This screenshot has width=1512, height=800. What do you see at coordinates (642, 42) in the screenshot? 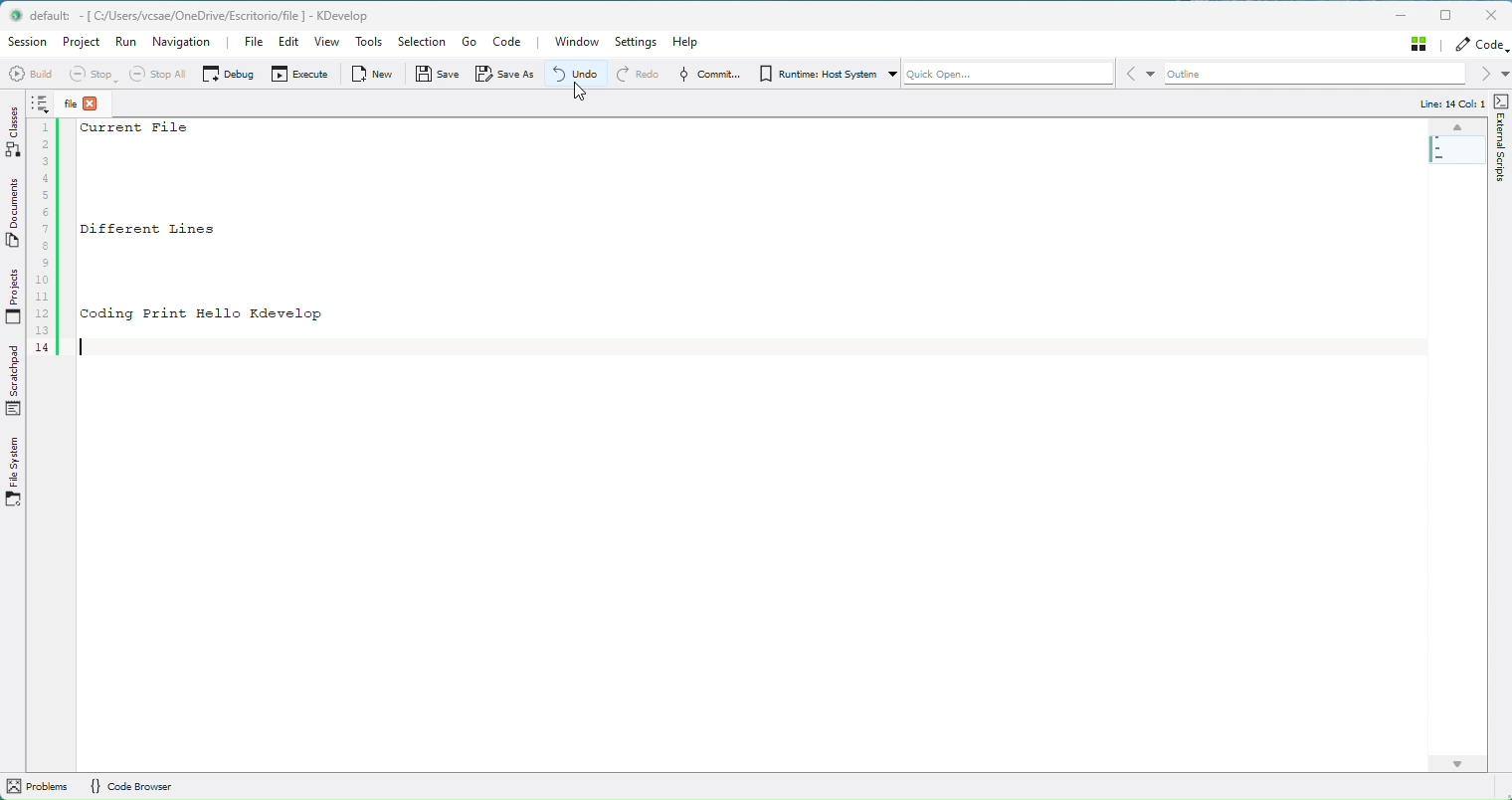
I see `Settings` at bounding box center [642, 42].